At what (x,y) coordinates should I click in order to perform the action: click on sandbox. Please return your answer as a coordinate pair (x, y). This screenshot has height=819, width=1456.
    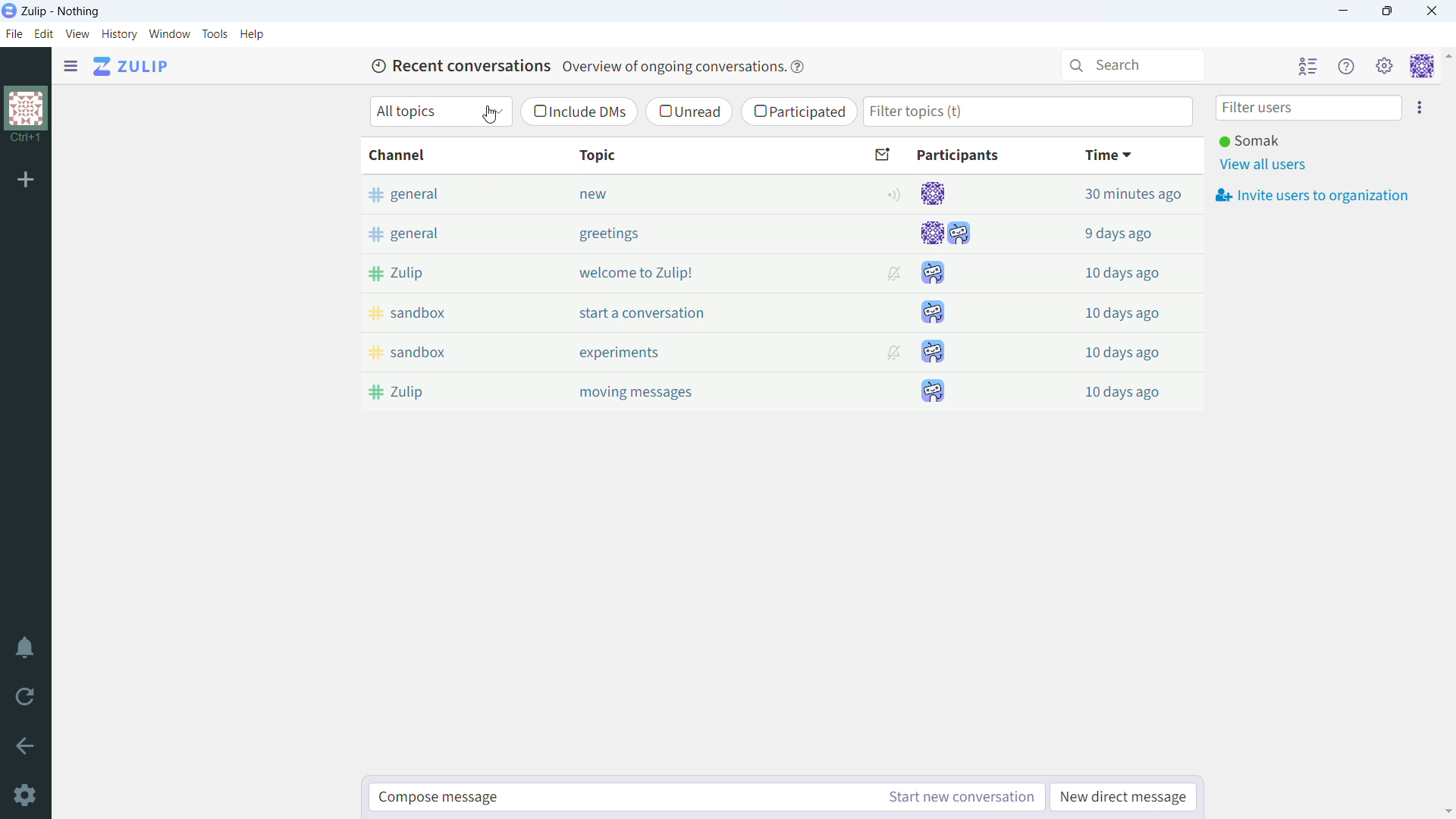
    Looking at the image, I should click on (445, 312).